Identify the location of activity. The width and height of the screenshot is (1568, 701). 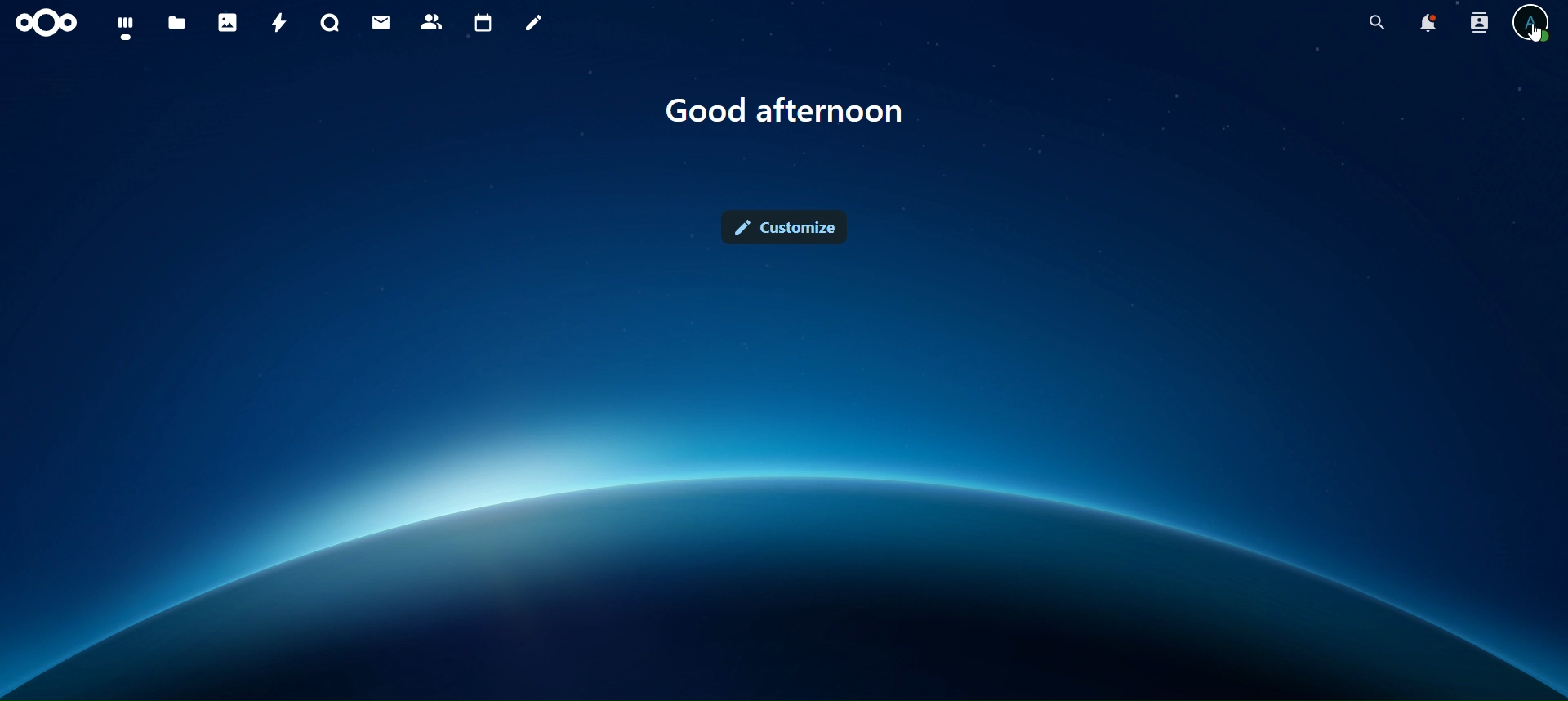
(275, 24).